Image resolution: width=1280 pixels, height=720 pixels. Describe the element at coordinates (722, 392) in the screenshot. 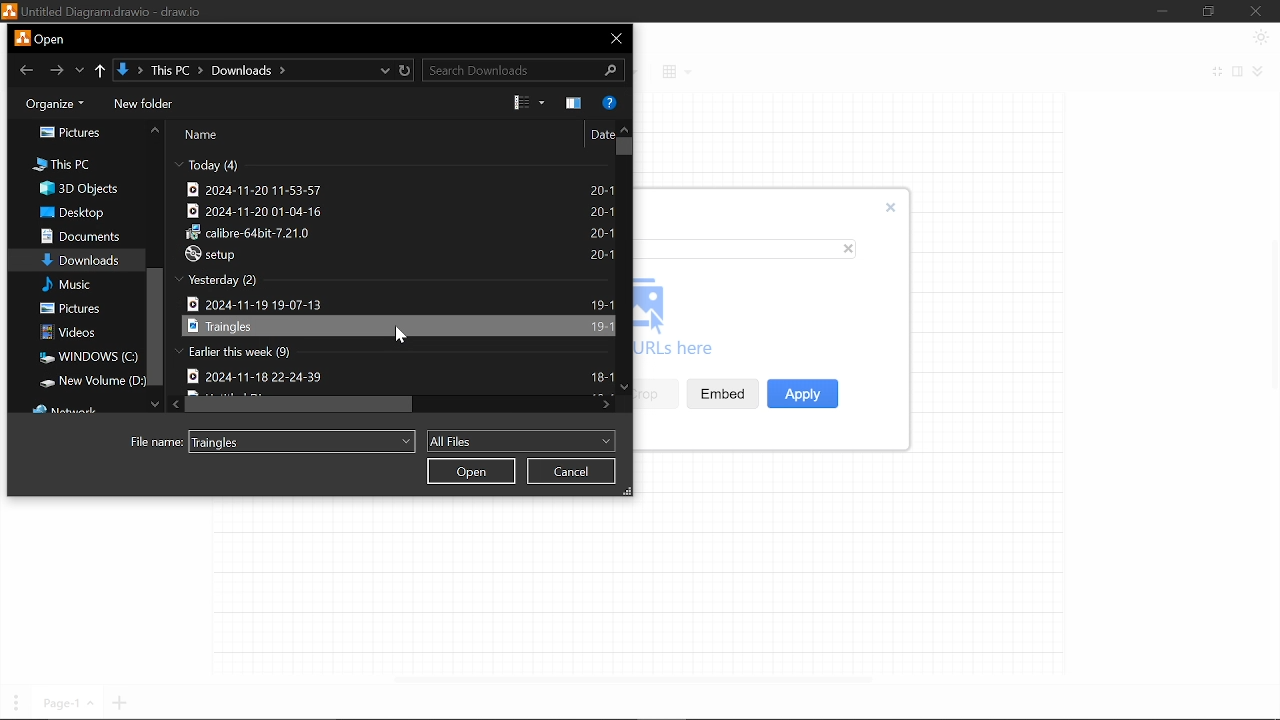

I see `Embed` at that location.